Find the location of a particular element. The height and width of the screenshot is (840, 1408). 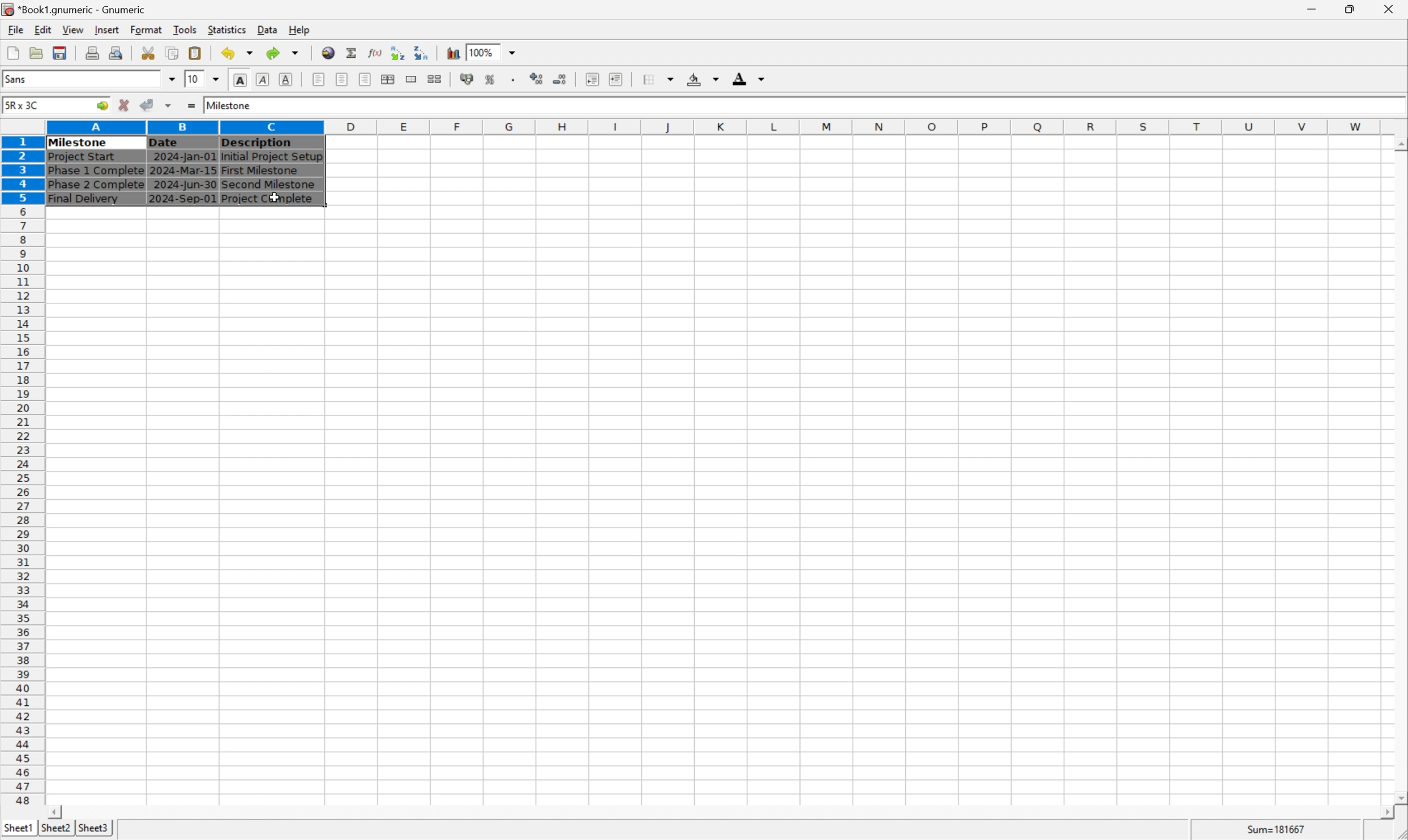

paste is located at coordinates (195, 53).